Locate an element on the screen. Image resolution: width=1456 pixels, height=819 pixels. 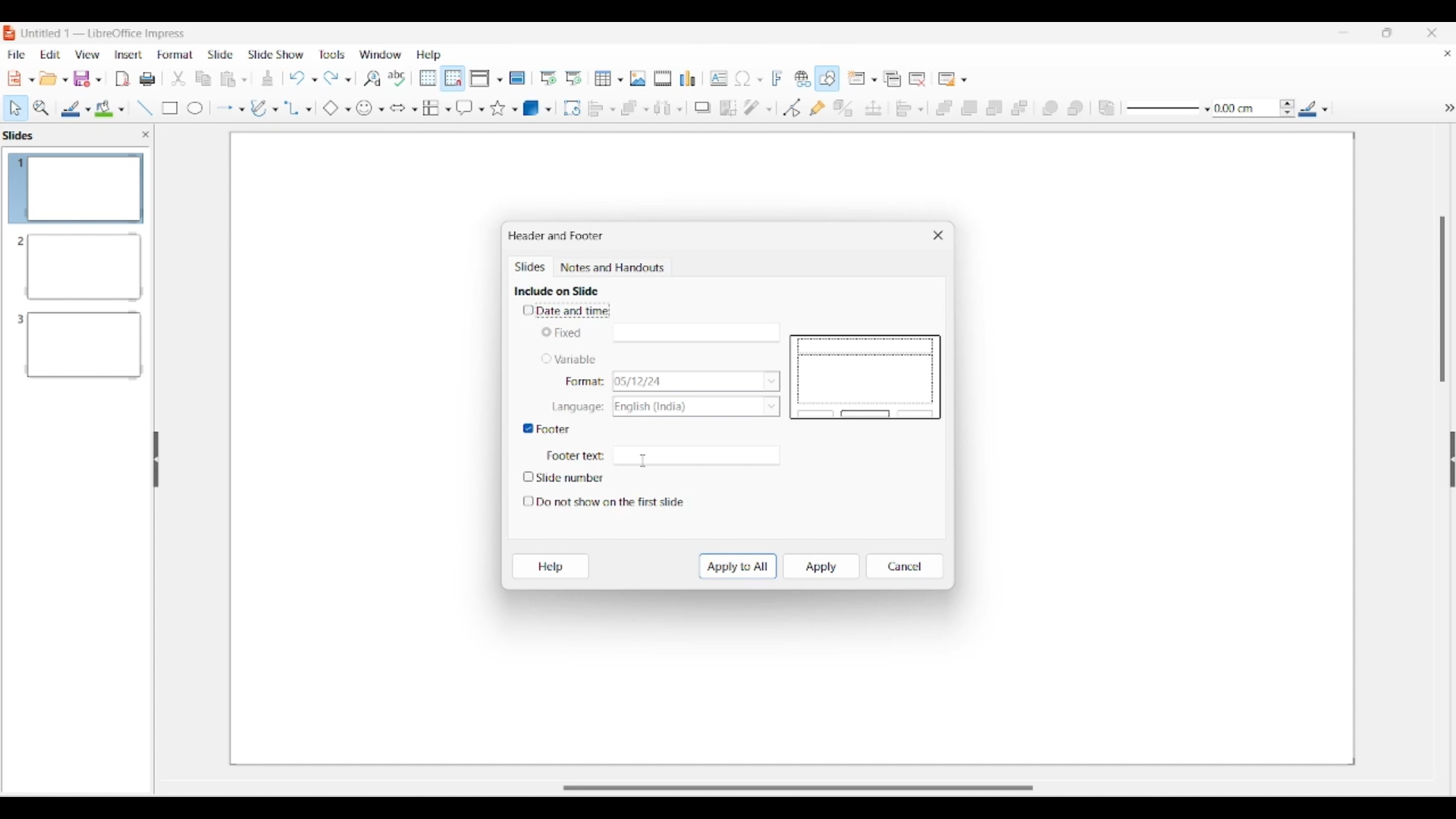
Duplicate slide is located at coordinates (893, 79).